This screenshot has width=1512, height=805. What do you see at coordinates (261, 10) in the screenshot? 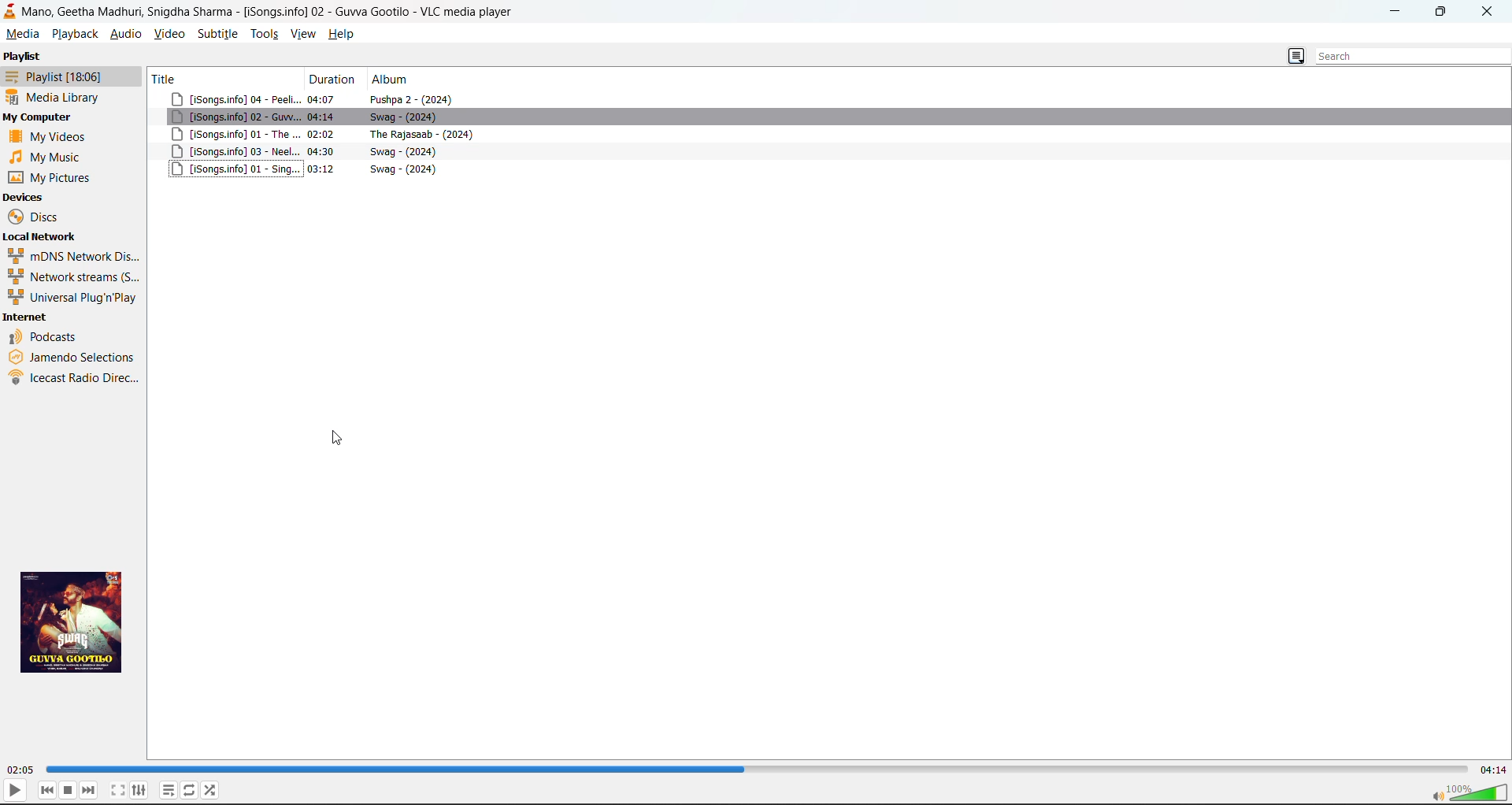
I see `Mano, Geetha Madhuri, Snigdha Sharma - [iSongs.info] 02 - Guvva gootilo - VLC media player` at bounding box center [261, 10].